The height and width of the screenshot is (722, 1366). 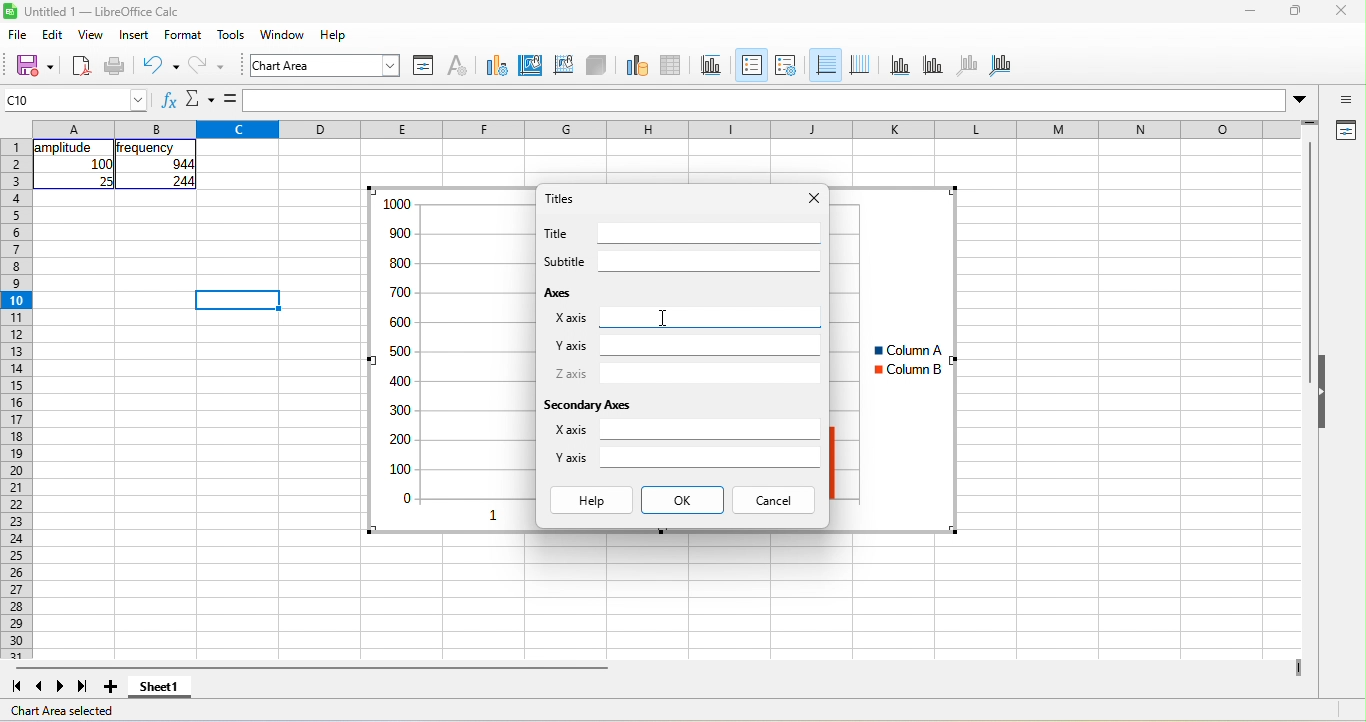 I want to click on Vertical slide bar, so click(x=1309, y=262).